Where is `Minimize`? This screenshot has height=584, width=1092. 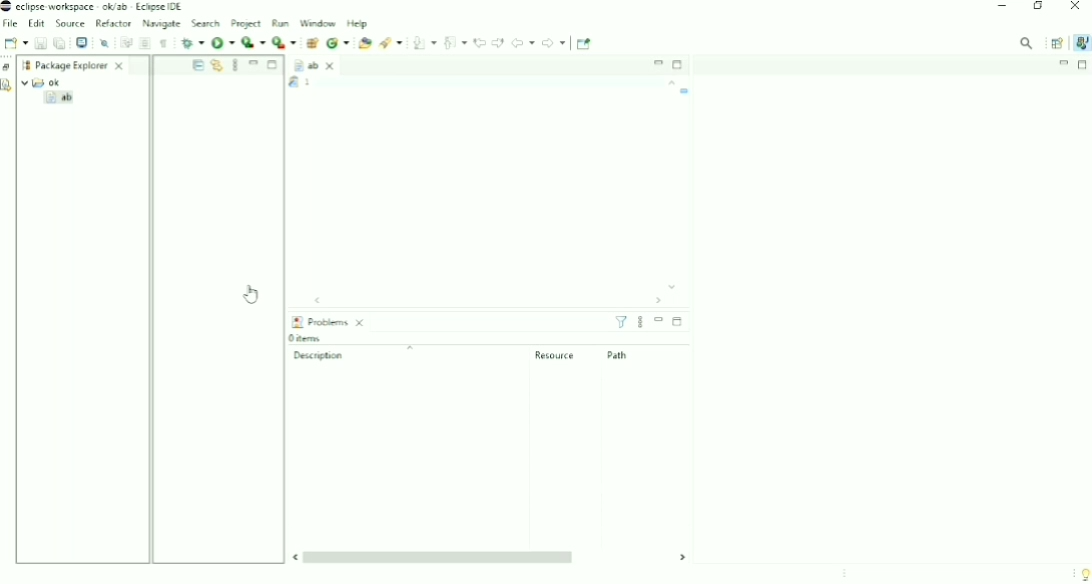
Minimize is located at coordinates (657, 62).